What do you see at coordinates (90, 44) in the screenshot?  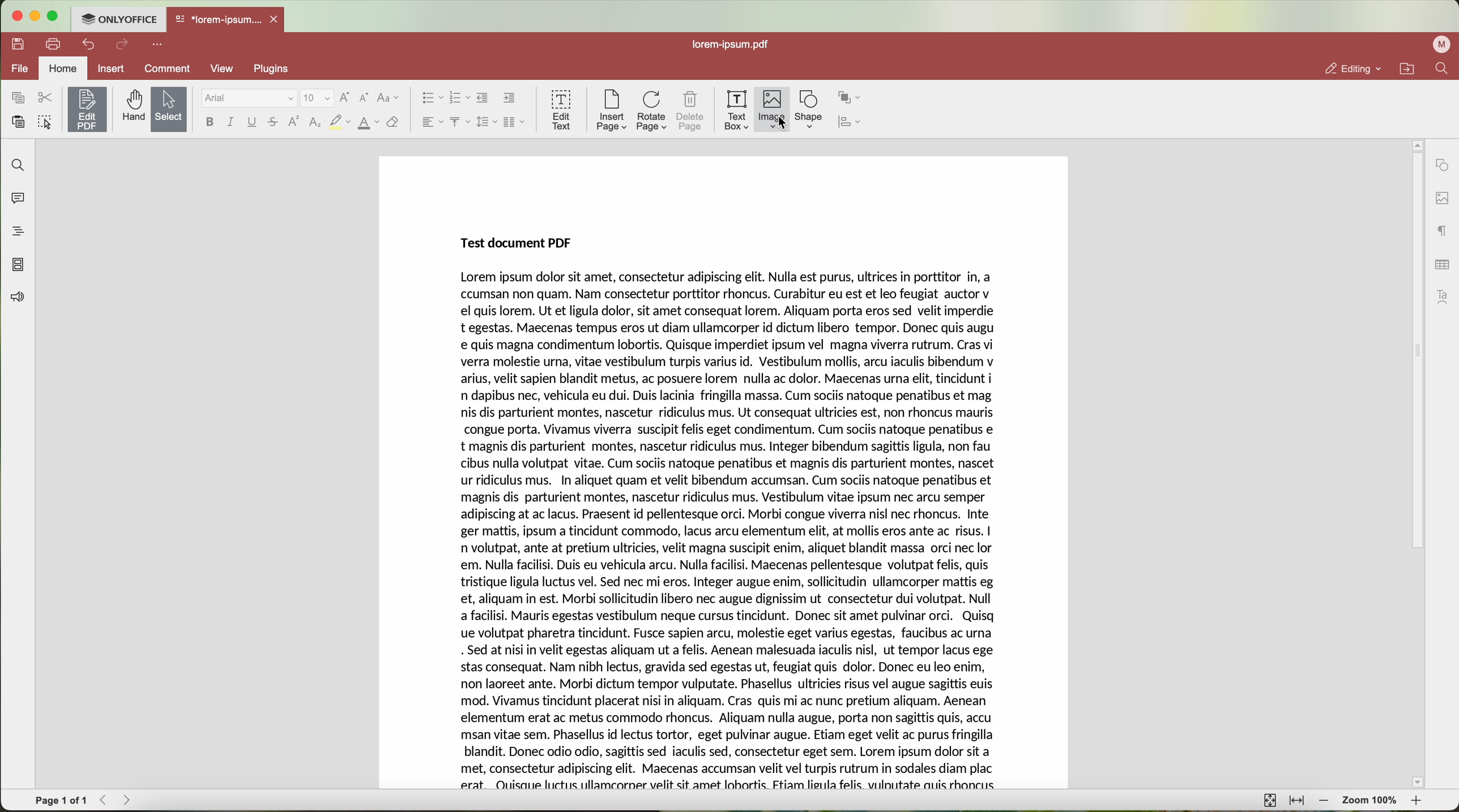 I see `undo` at bounding box center [90, 44].